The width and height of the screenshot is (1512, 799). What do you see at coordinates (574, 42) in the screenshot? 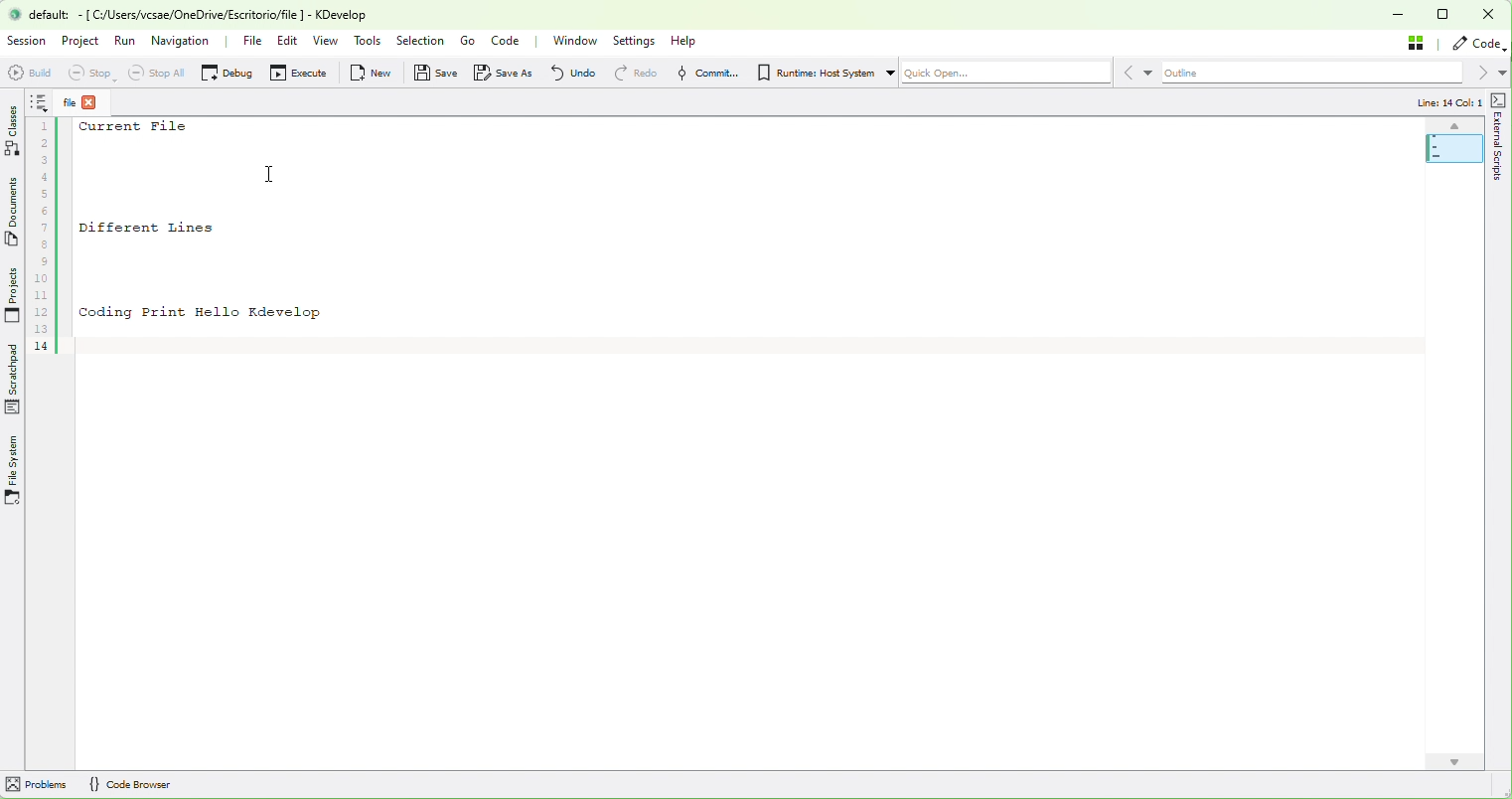
I see `Window` at bounding box center [574, 42].